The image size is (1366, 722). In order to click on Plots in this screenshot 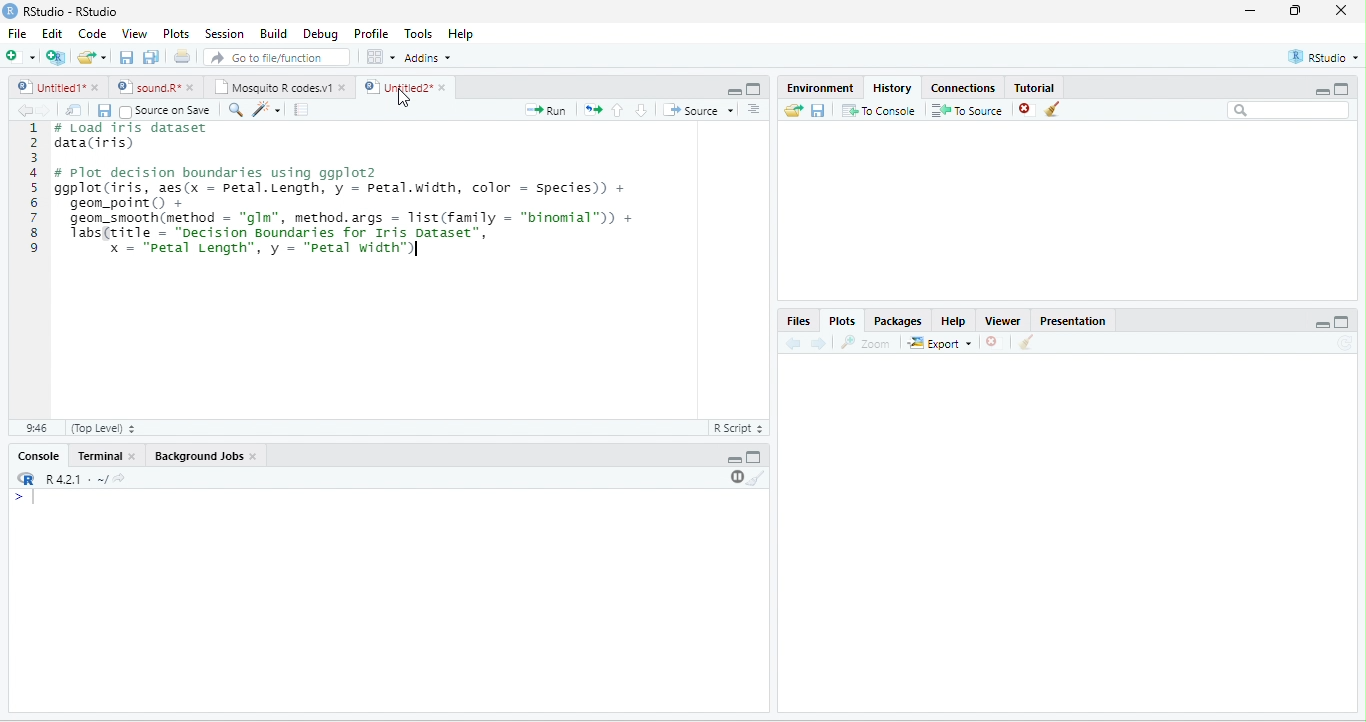, I will do `click(843, 322)`.